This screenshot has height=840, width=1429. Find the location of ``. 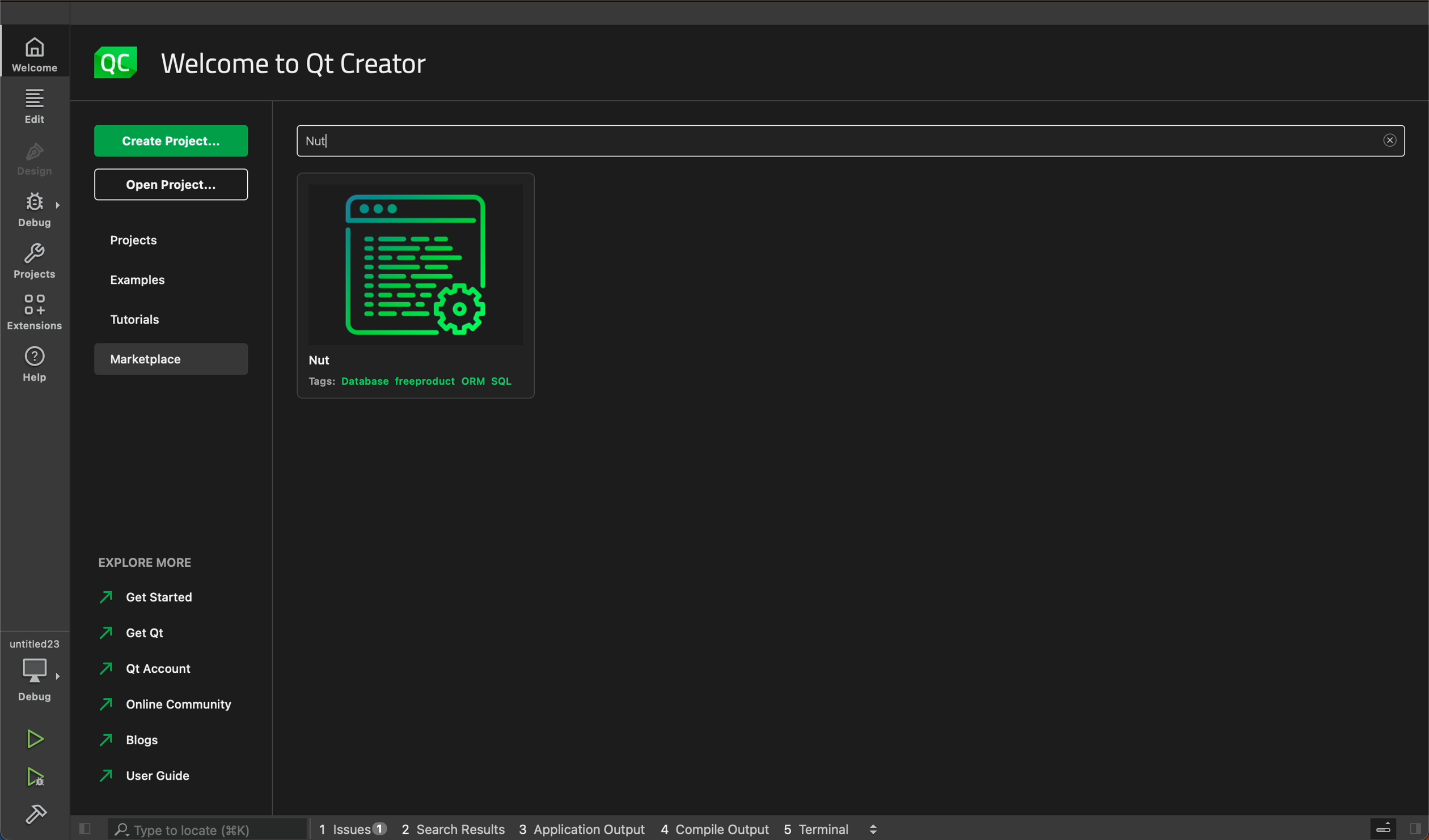

 is located at coordinates (165, 707).